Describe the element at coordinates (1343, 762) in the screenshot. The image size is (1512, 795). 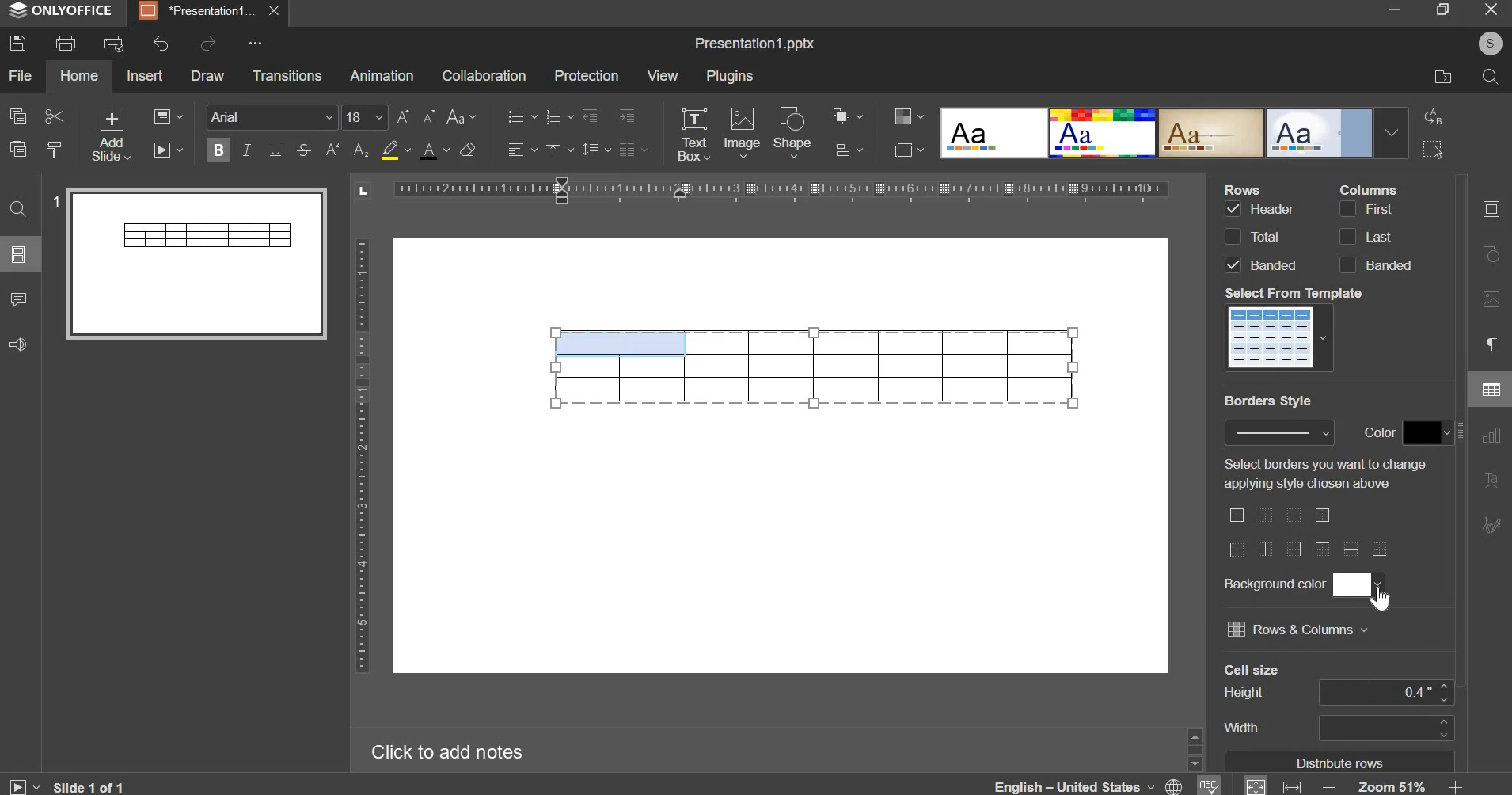
I see `Distribute rows` at that location.